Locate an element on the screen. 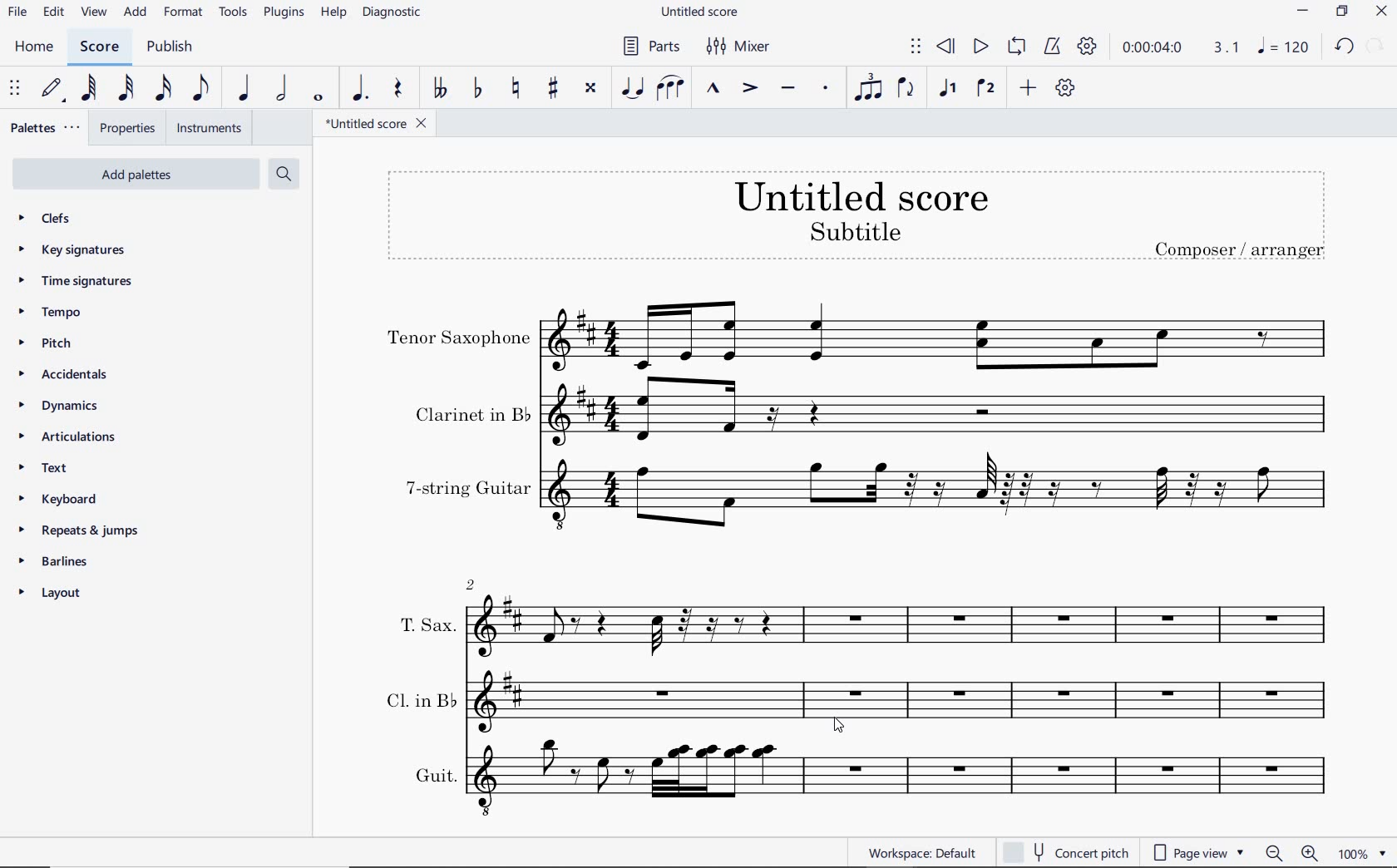 The height and width of the screenshot is (868, 1397). SELECT TO MOVE is located at coordinates (915, 46).